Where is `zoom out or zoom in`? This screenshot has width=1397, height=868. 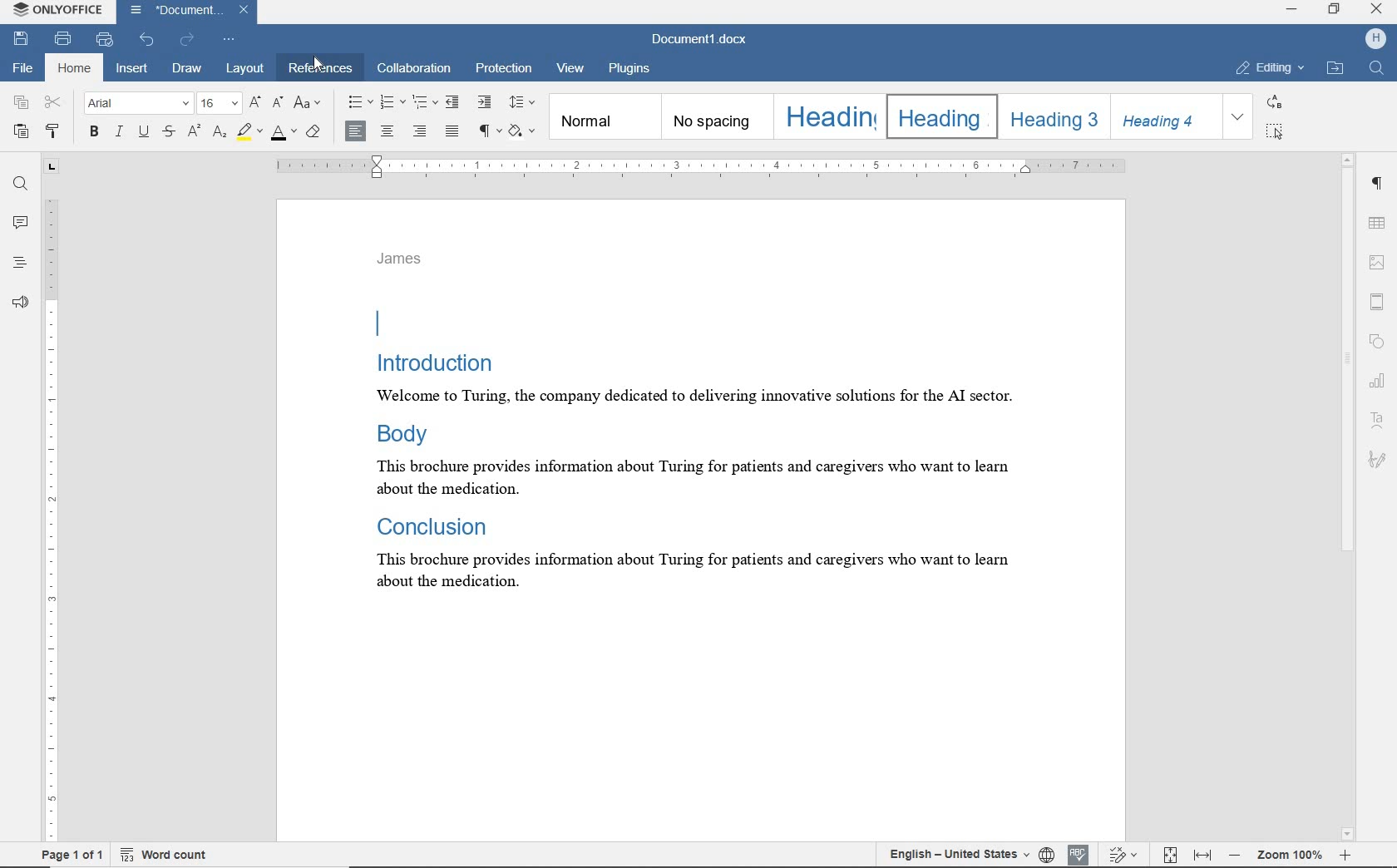
zoom out or zoom in is located at coordinates (1288, 854).